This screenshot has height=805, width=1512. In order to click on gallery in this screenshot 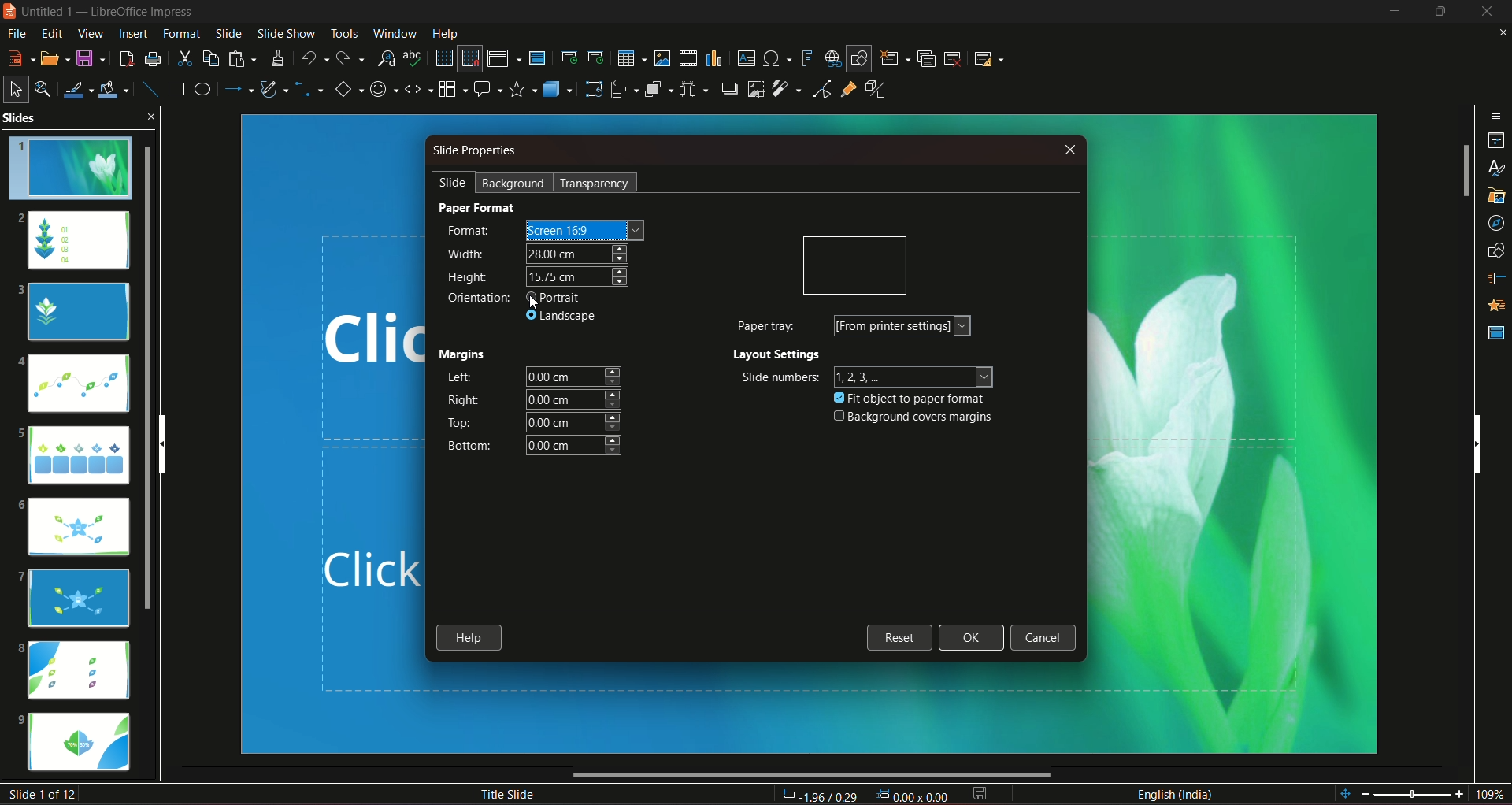, I will do `click(1494, 198)`.